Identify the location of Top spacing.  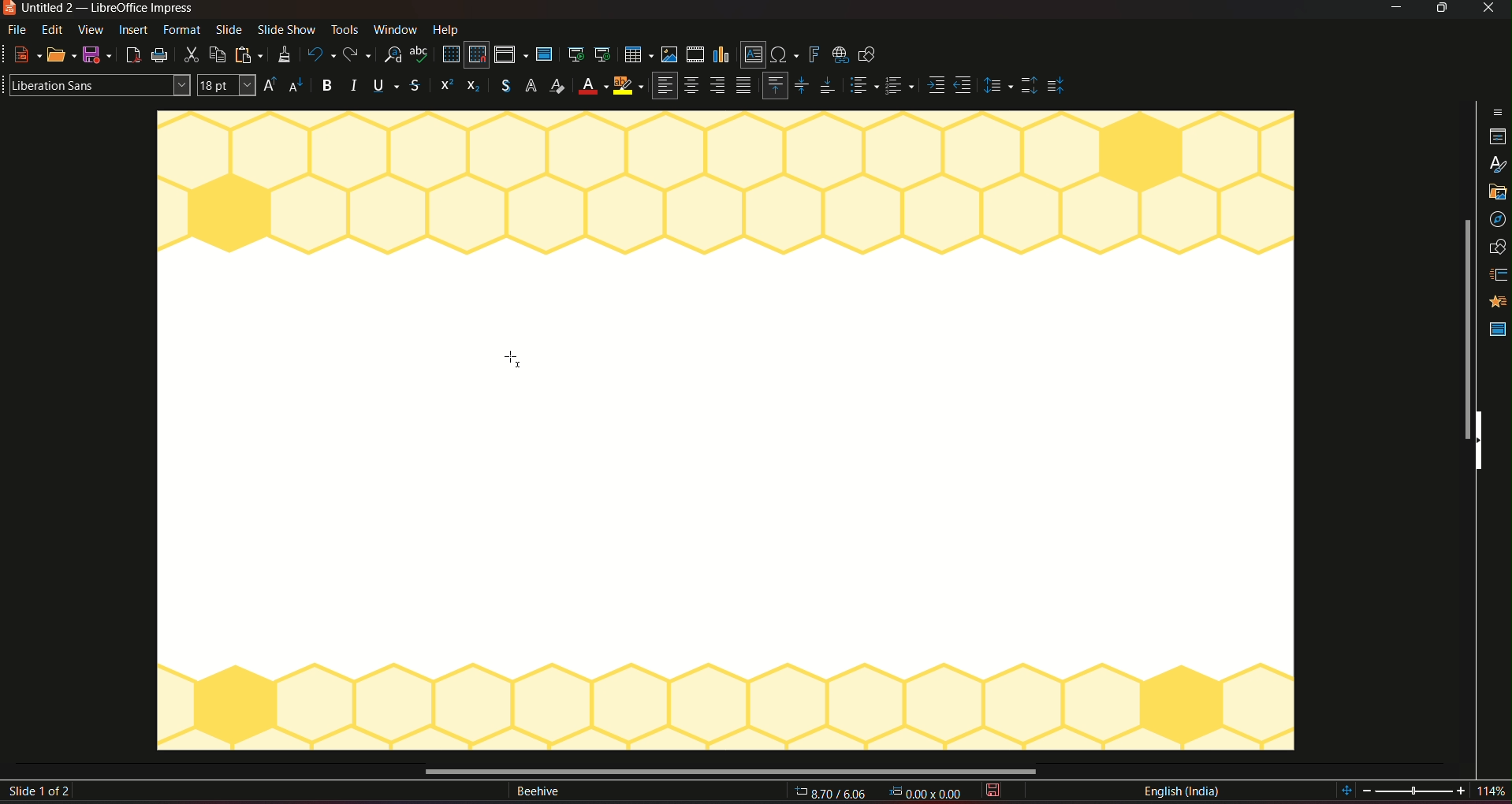
(1029, 86).